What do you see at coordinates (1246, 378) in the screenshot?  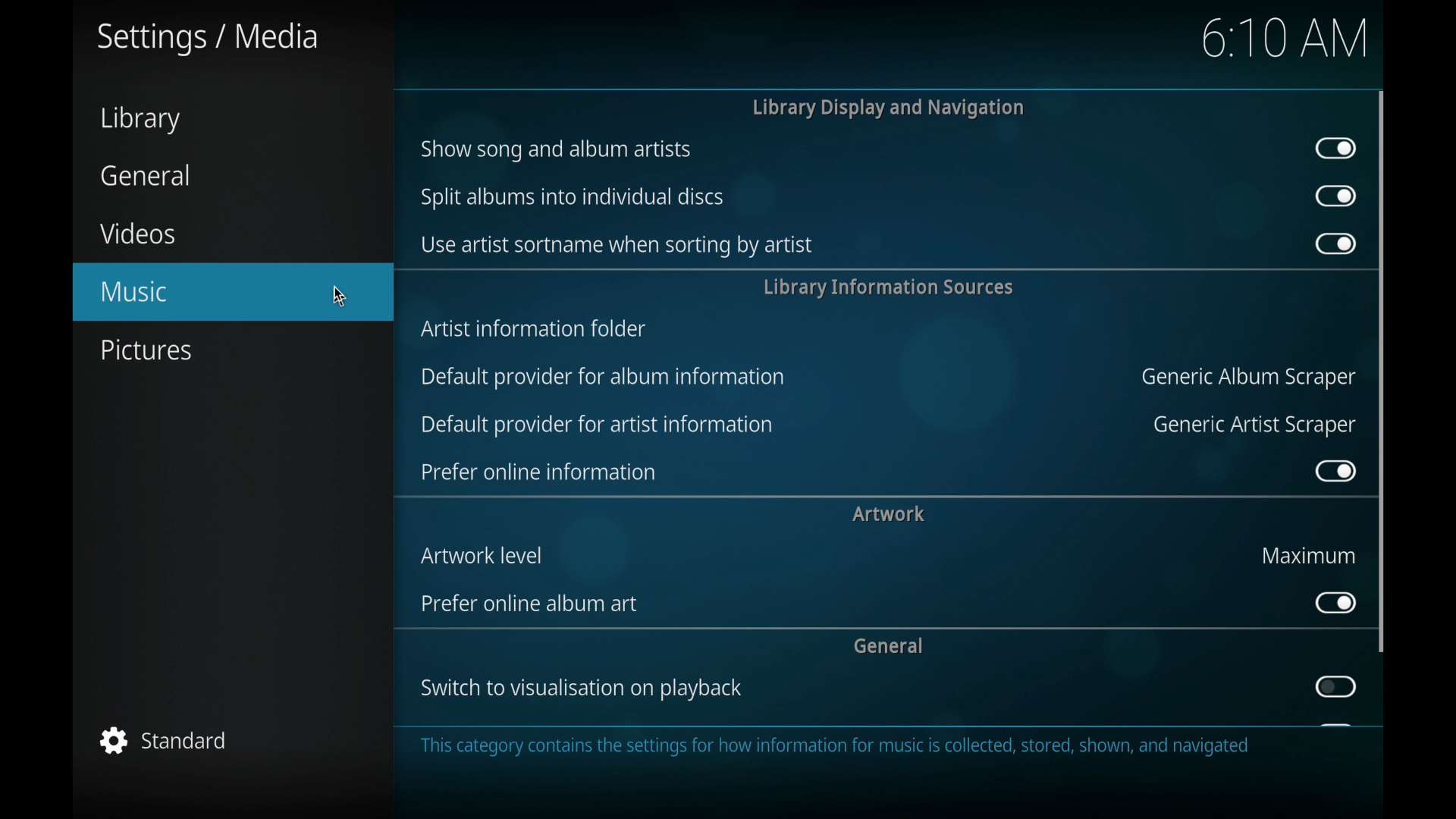 I see `generic album scraper` at bounding box center [1246, 378].